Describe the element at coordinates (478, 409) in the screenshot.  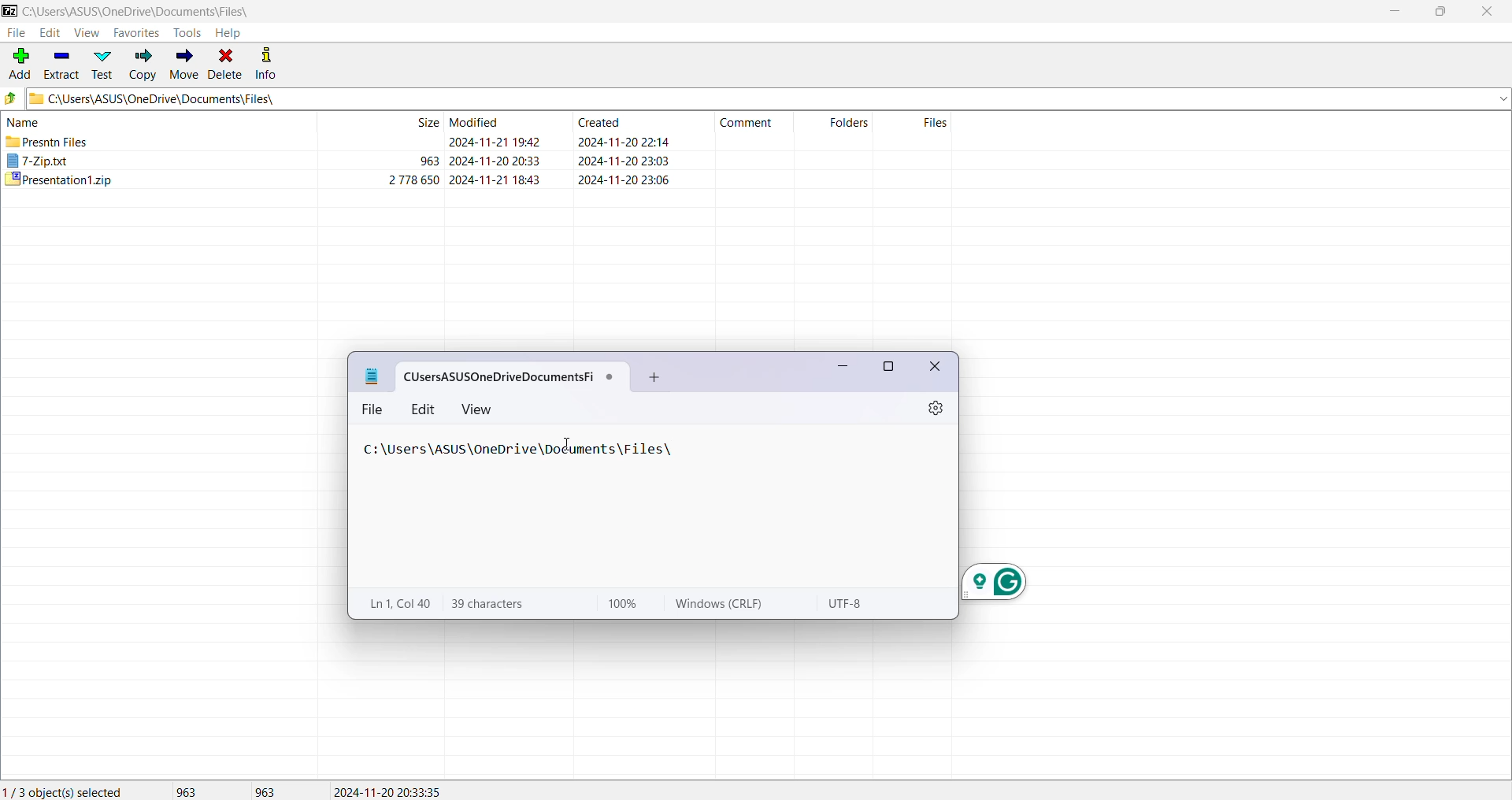
I see `View` at that location.